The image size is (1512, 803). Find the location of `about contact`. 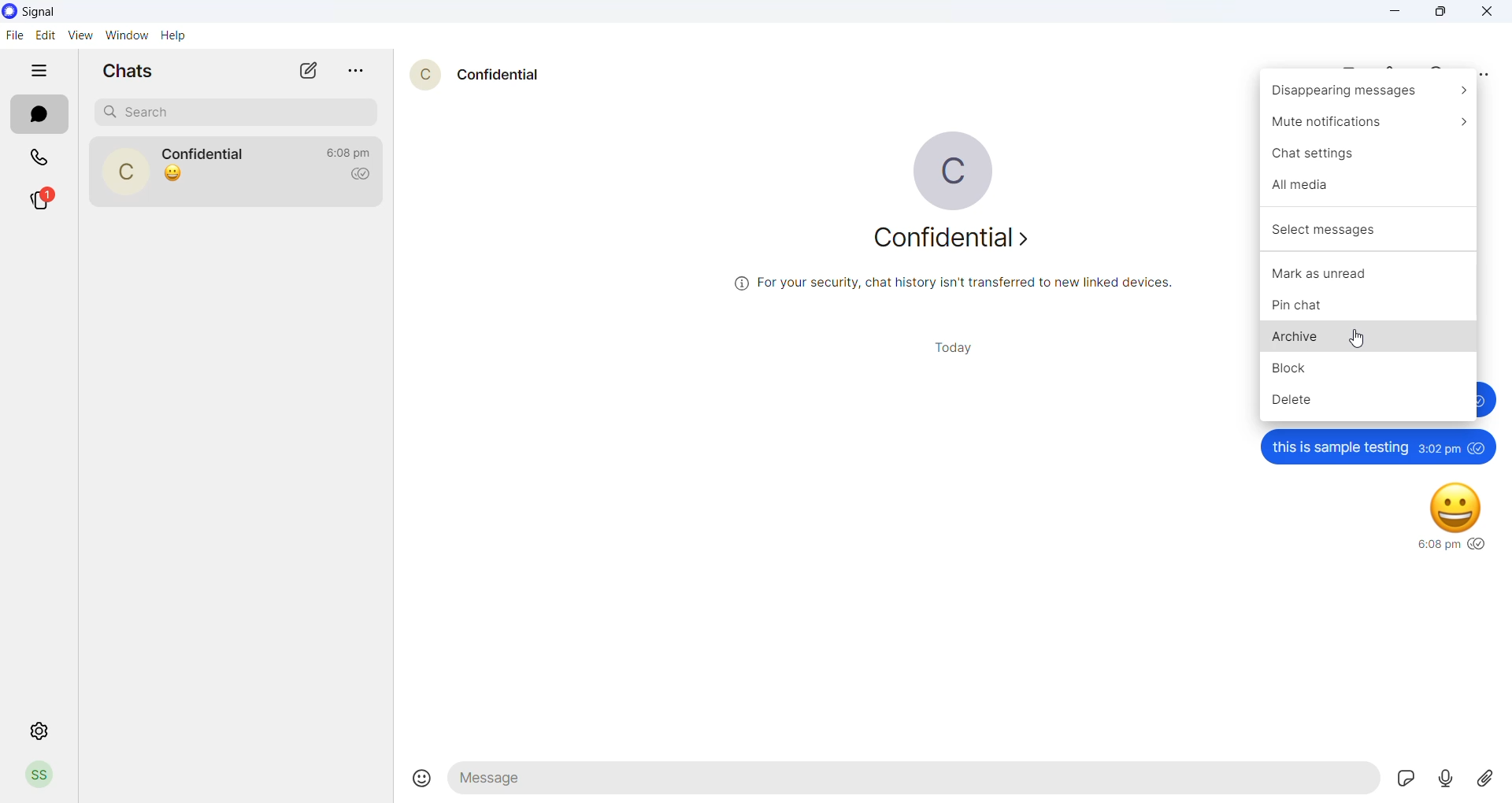

about contact is located at coordinates (951, 240).